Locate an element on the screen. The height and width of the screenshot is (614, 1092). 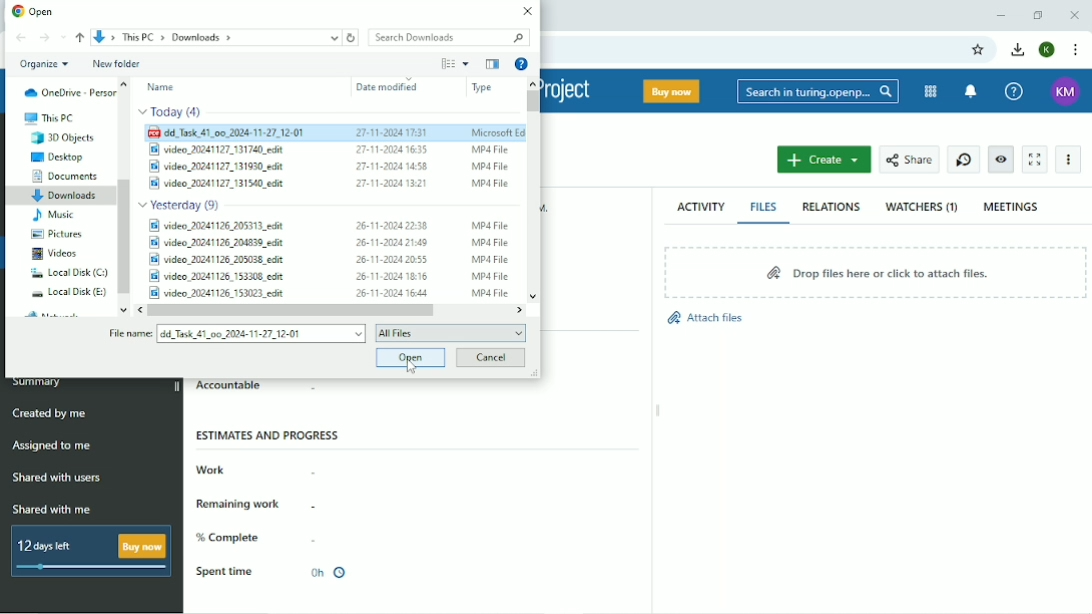
Close is located at coordinates (526, 11).